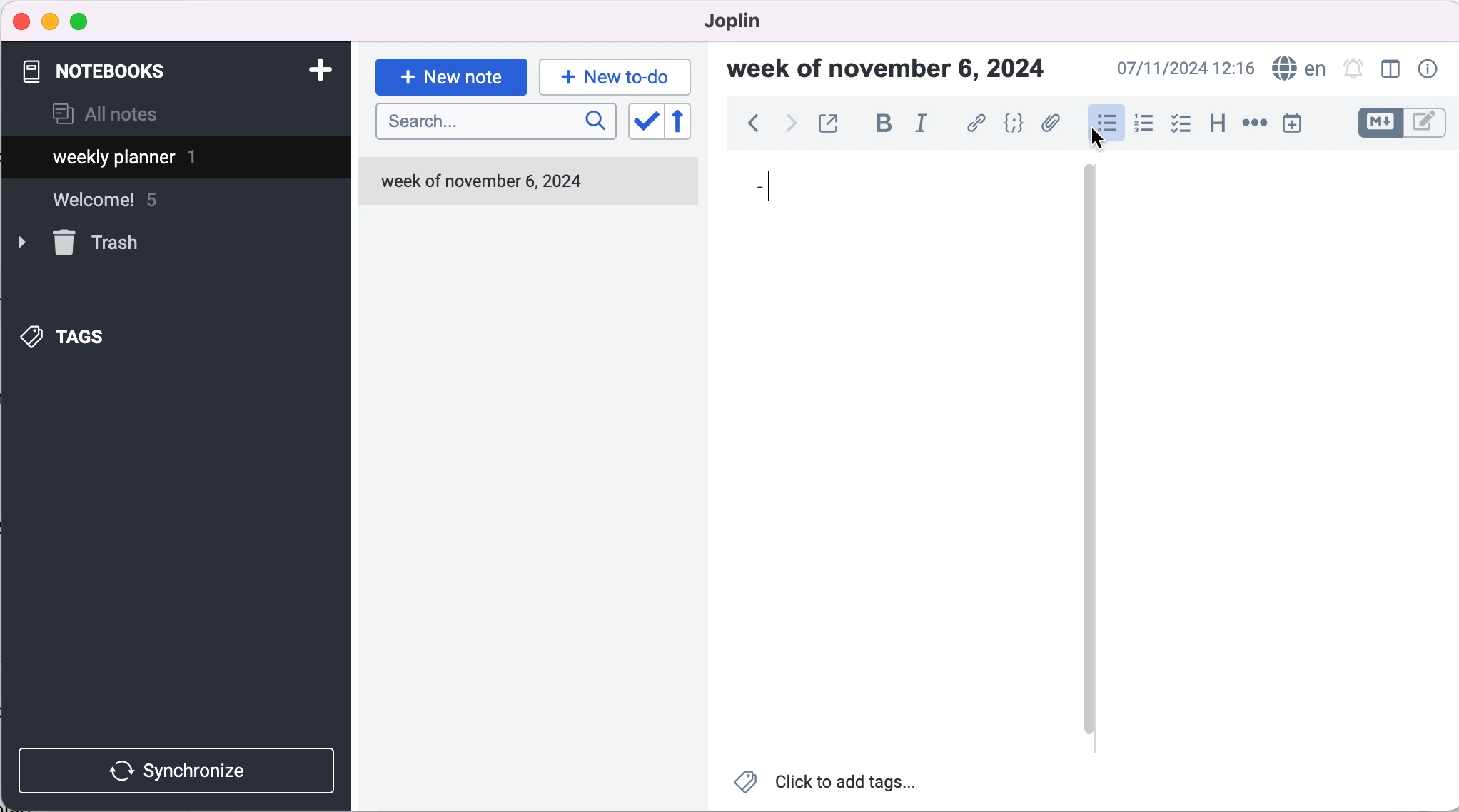 Image resolution: width=1459 pixels, height=812 pixels. I want to click on trash, so click(101, 243).